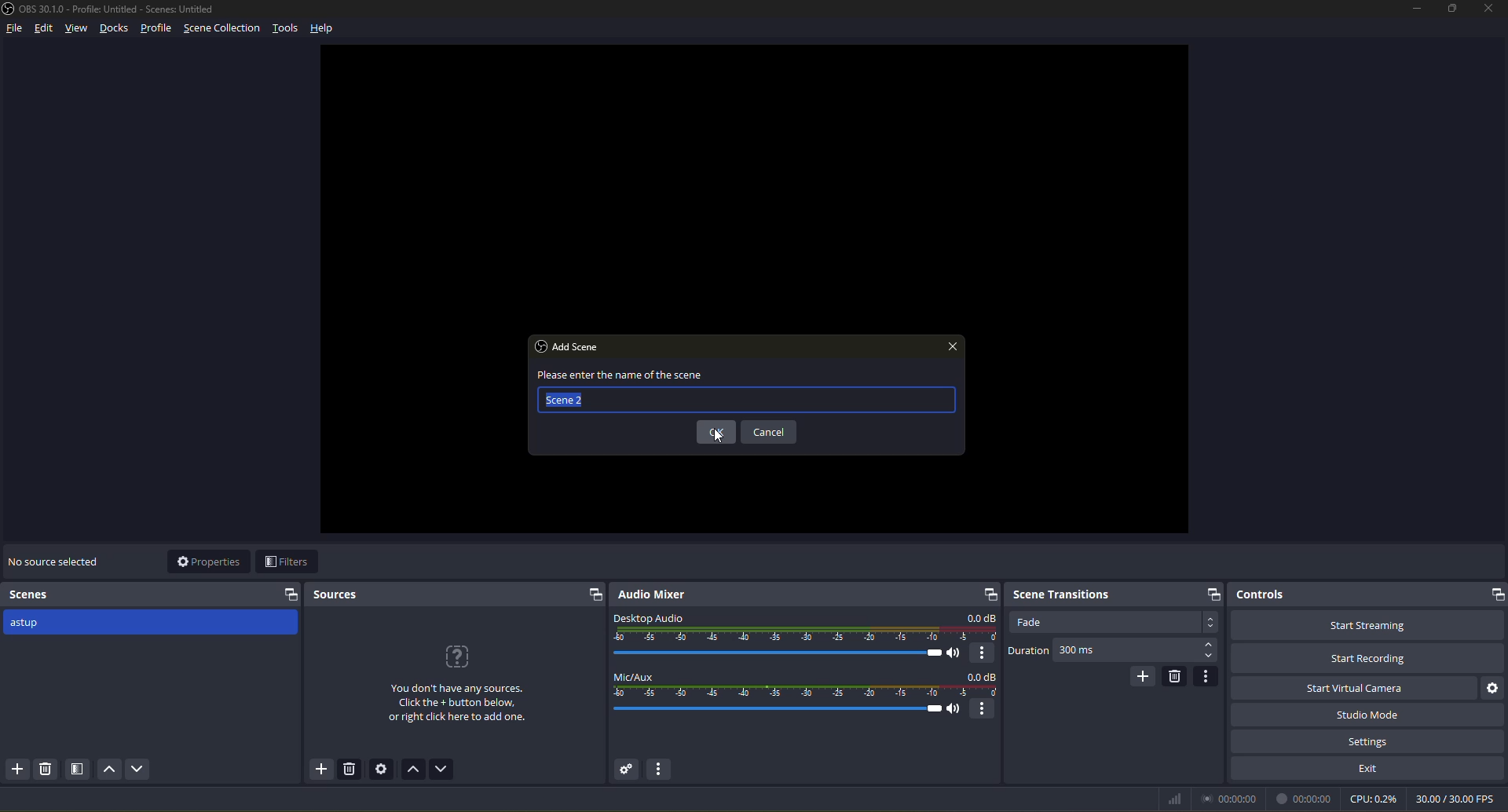 This screenshot has height=812, width=1508. What do you see at coordinates (1370, 715) in the screenshot?
I see `studio mode` at bounding box center [1370, 715].